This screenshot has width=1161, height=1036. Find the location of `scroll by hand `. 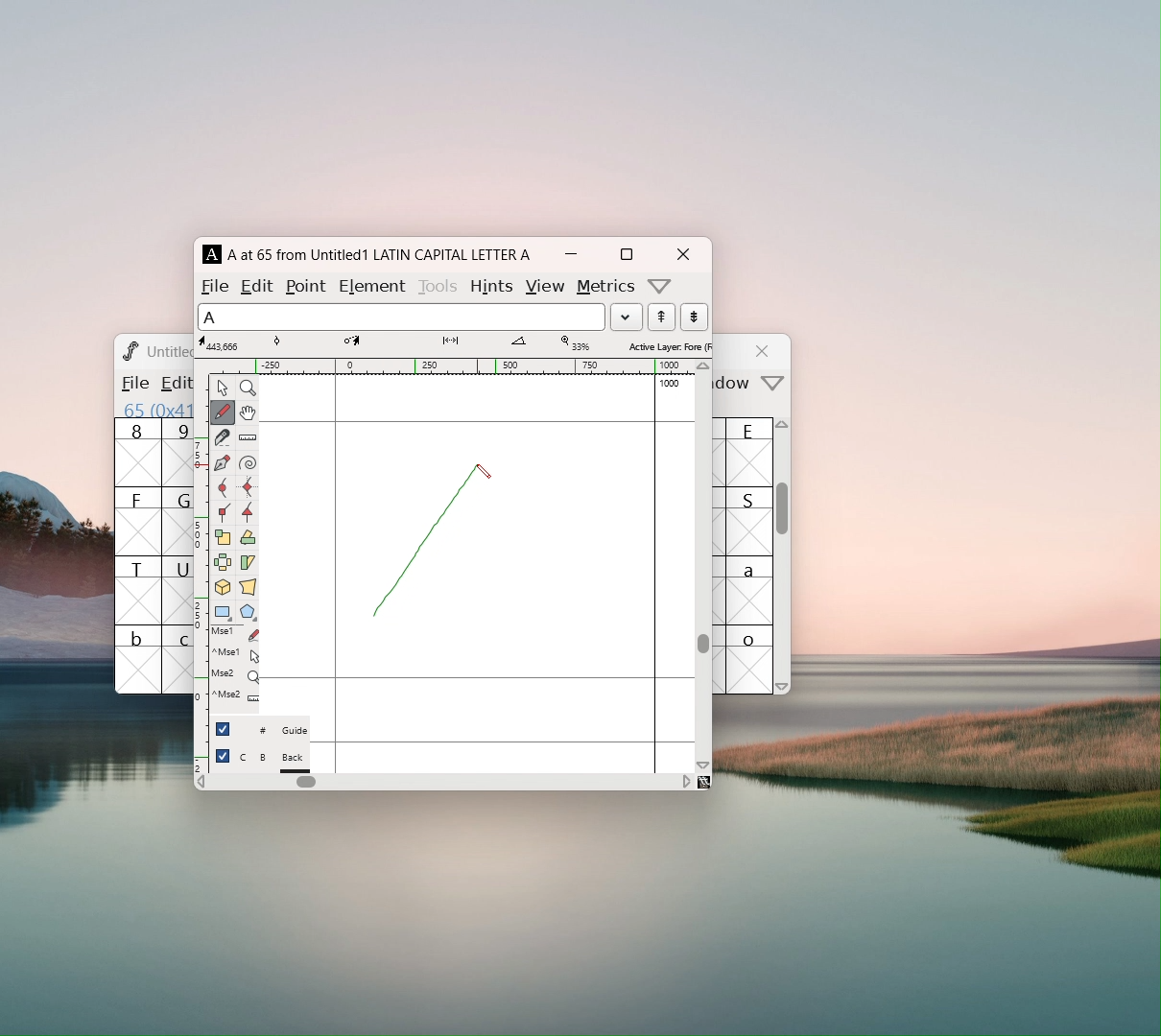

scroll by hand  is located at coordinates (248, 413).